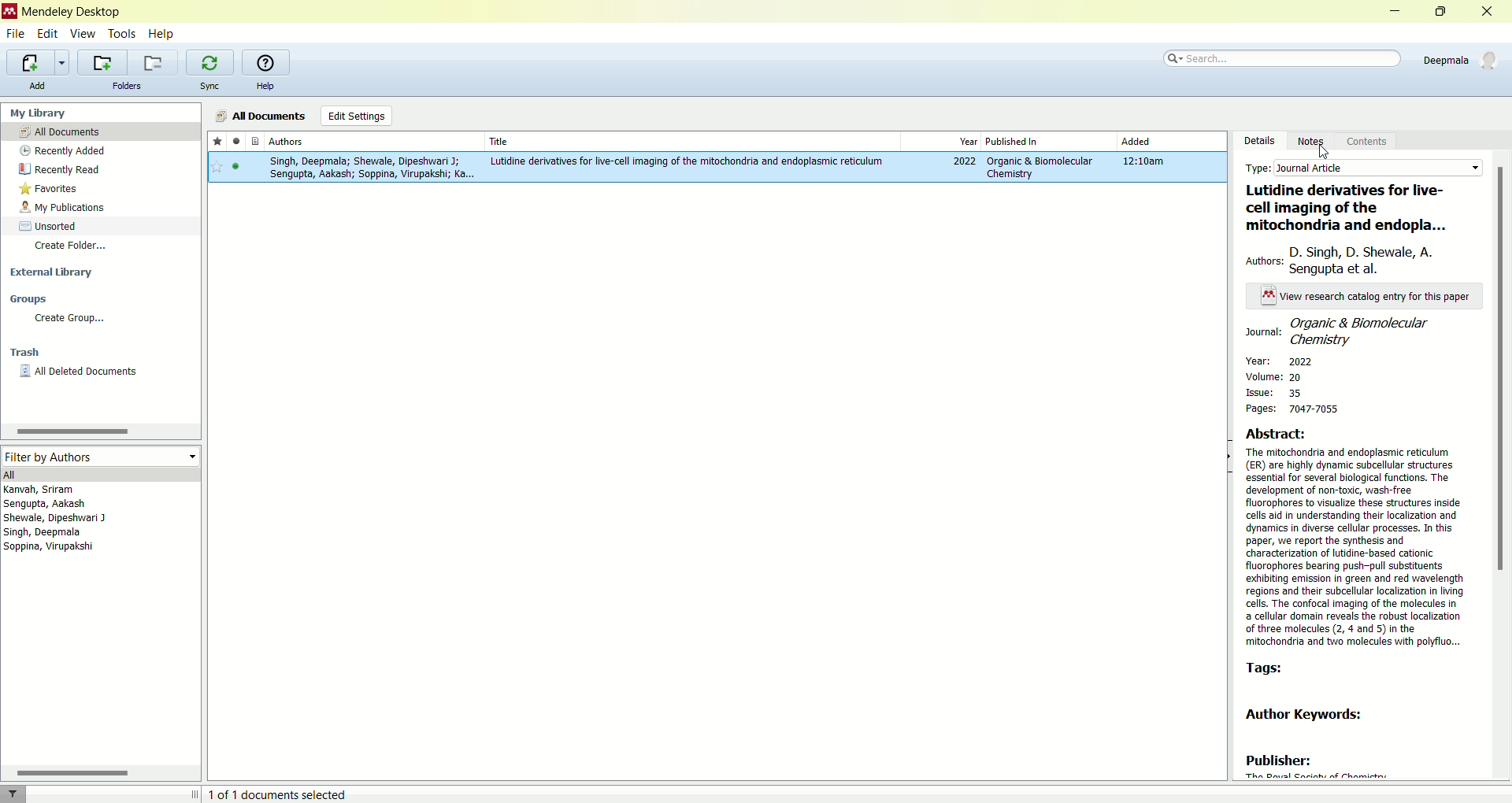  I want to click on create group, so click(100, 317).